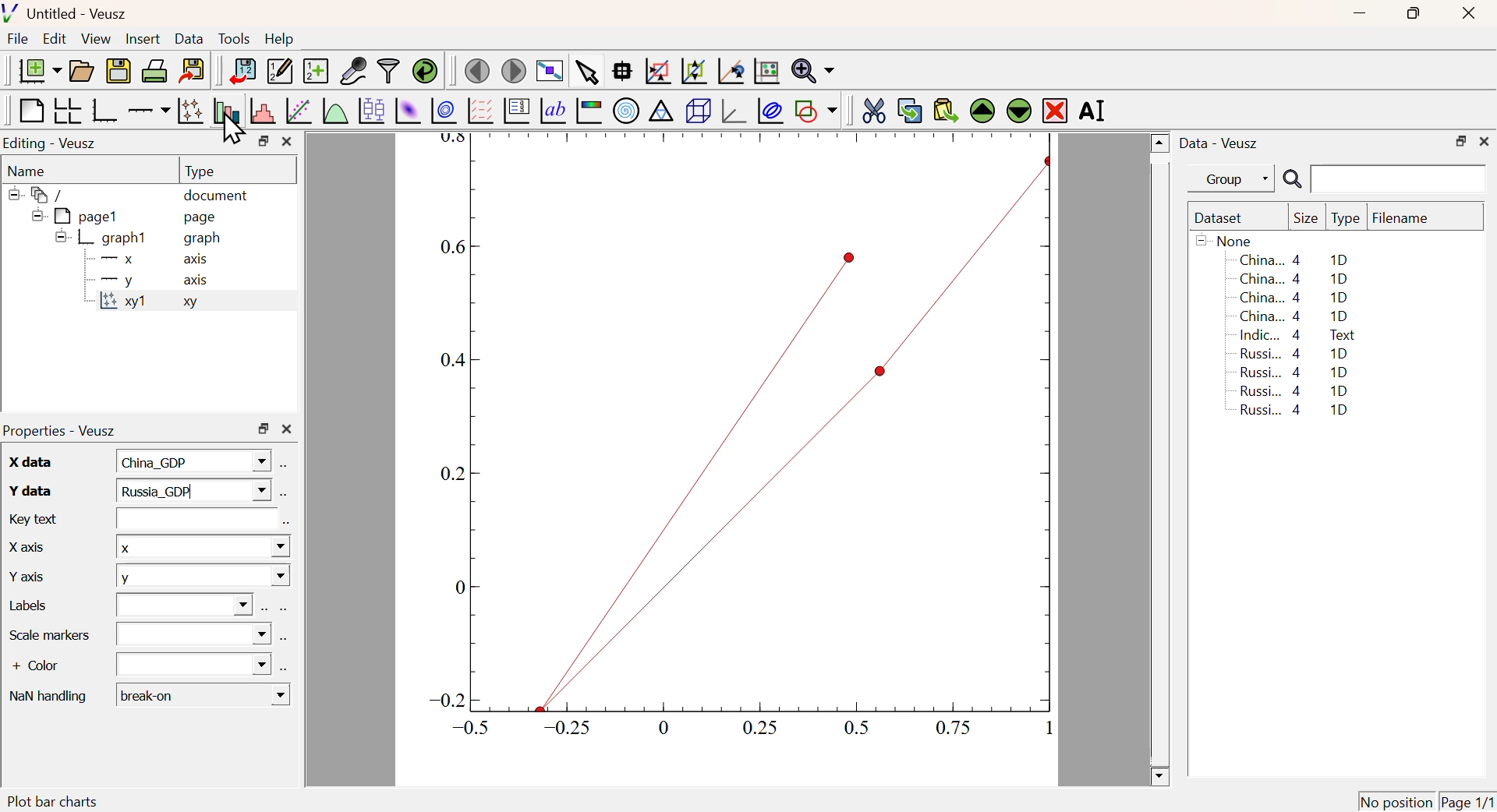 The width and height of the screenshot is (1497, 812). Describe the element at coordinates (264, 609) in the screenshot. I see `Select using dataset Browser` at that location.